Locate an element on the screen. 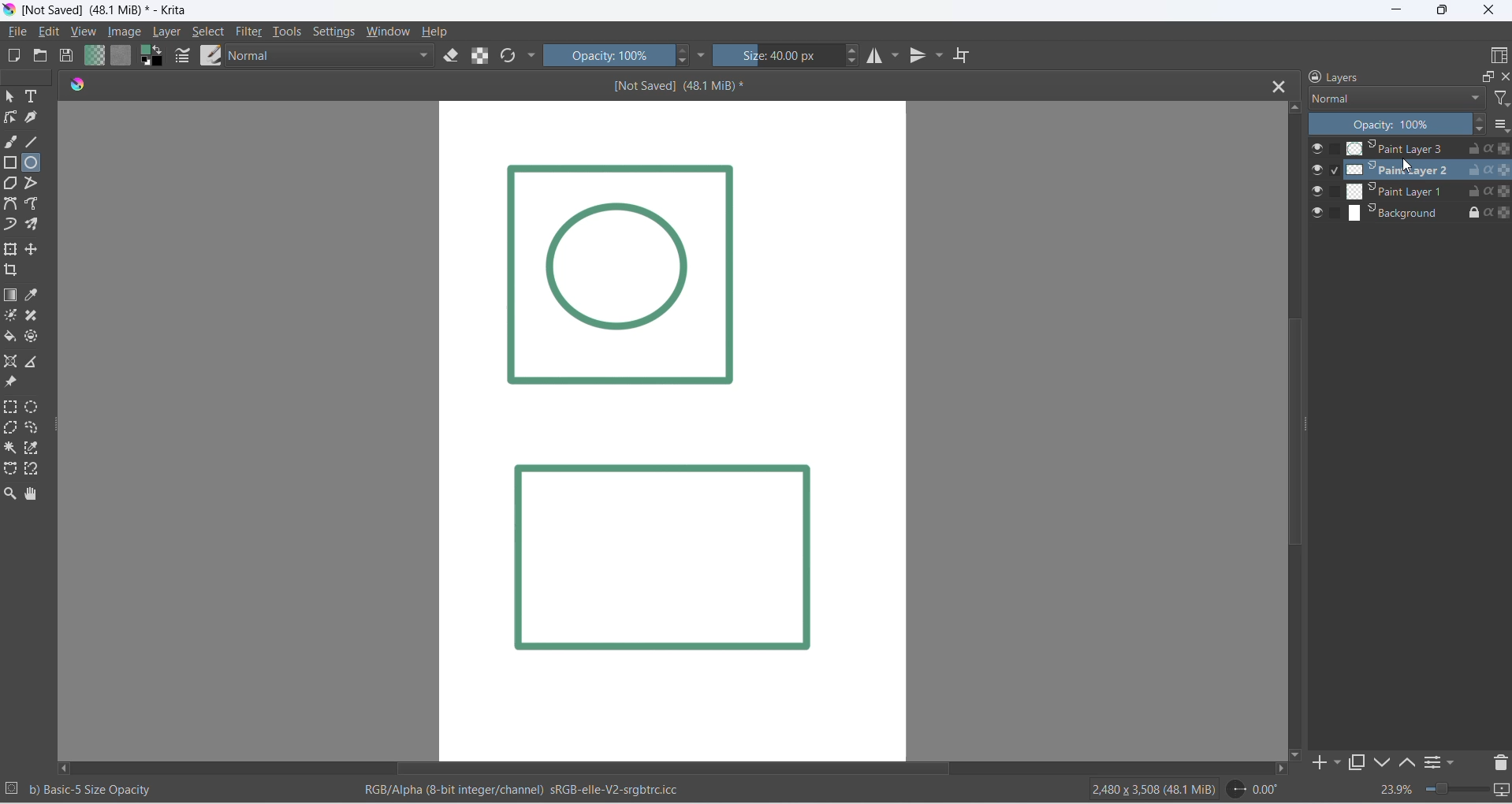  opacity is located at coordinates (605, 56).